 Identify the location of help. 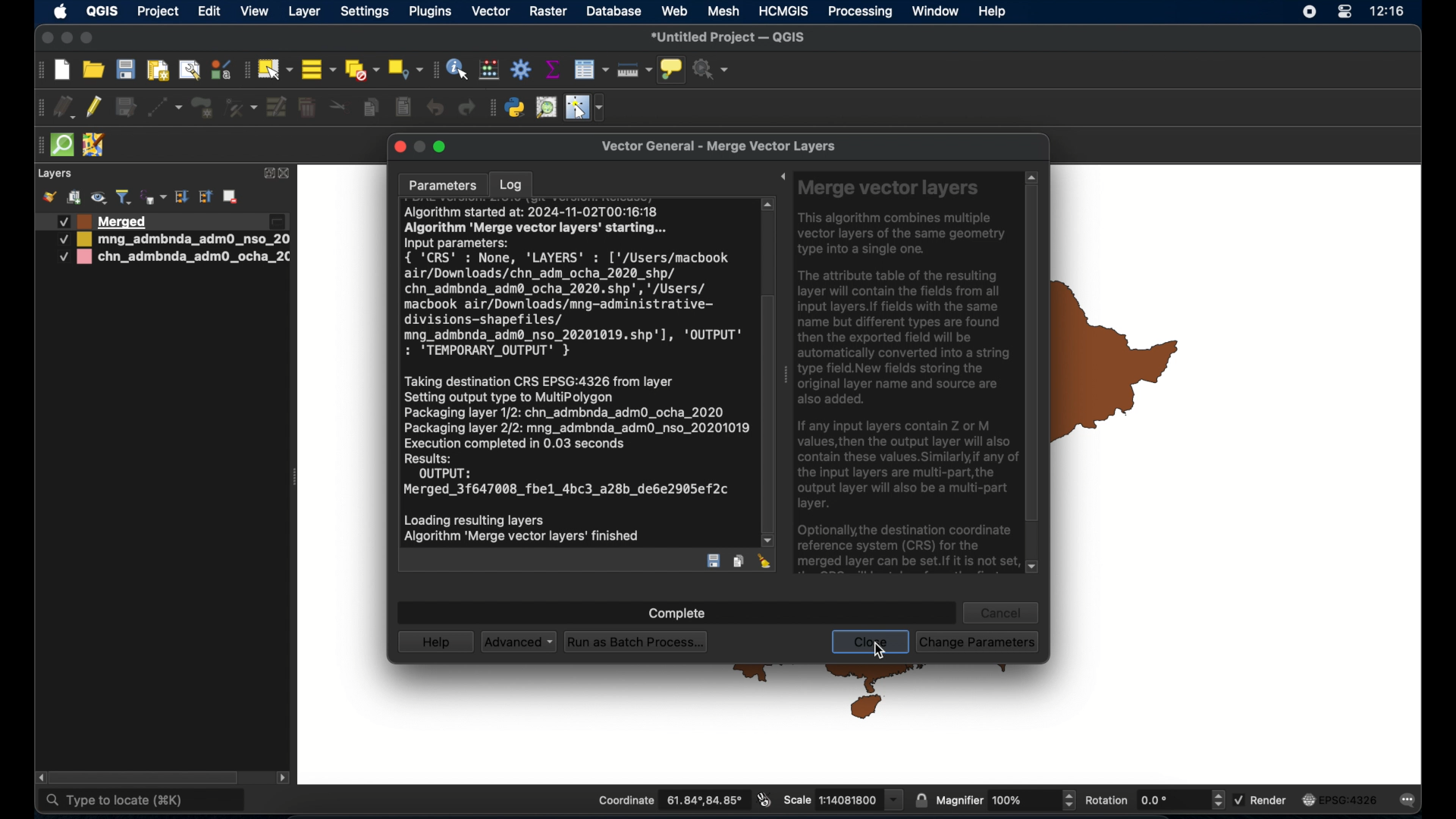
(436, 642).